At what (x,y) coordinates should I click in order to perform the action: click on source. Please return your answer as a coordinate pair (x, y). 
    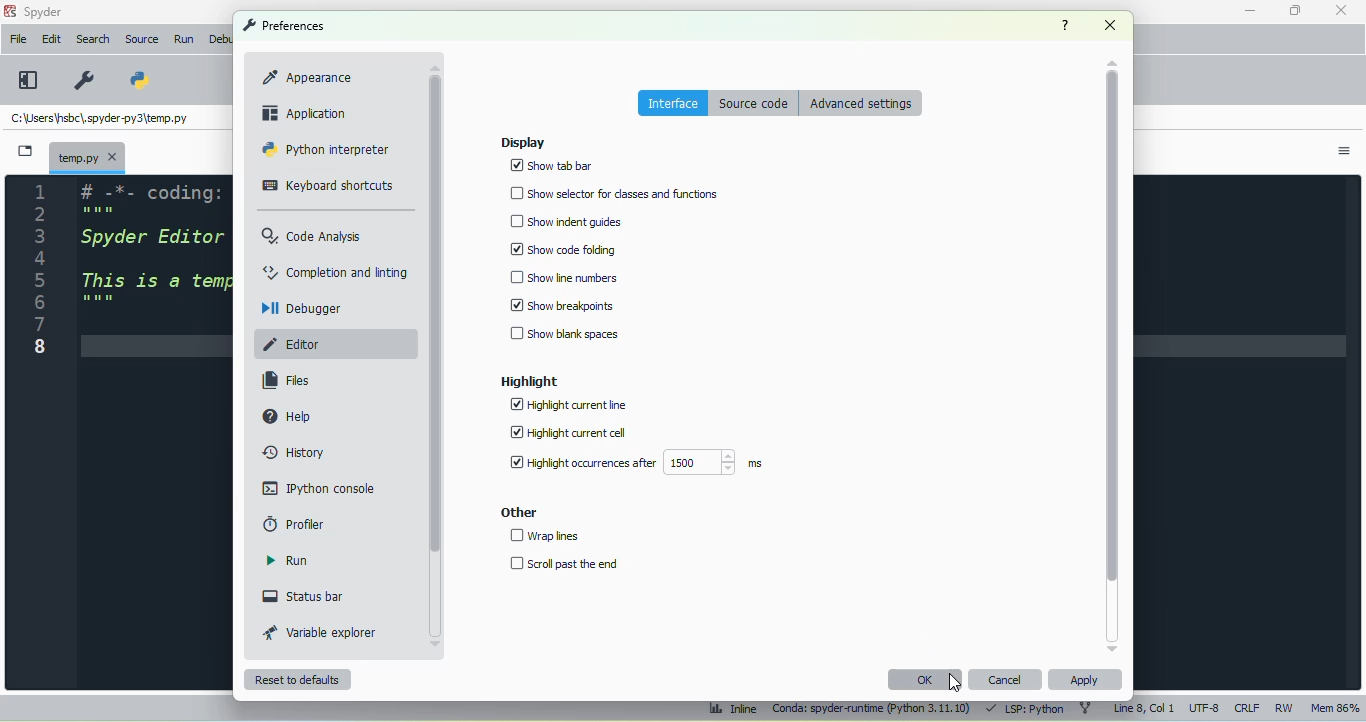
    Looking at the image, I should click on (143, 40).